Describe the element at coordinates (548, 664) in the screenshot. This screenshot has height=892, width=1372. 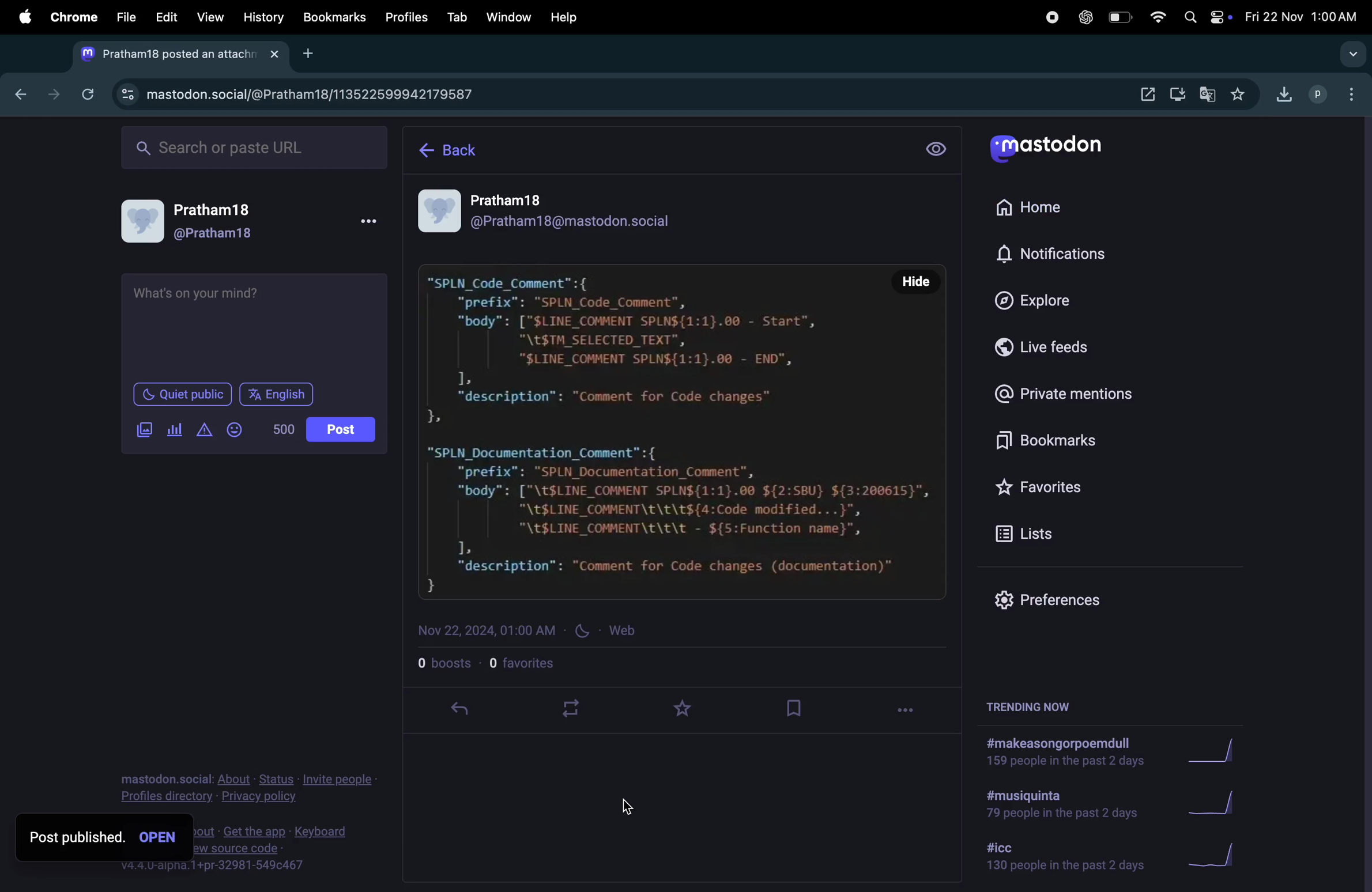
I see `favourites` at that location.